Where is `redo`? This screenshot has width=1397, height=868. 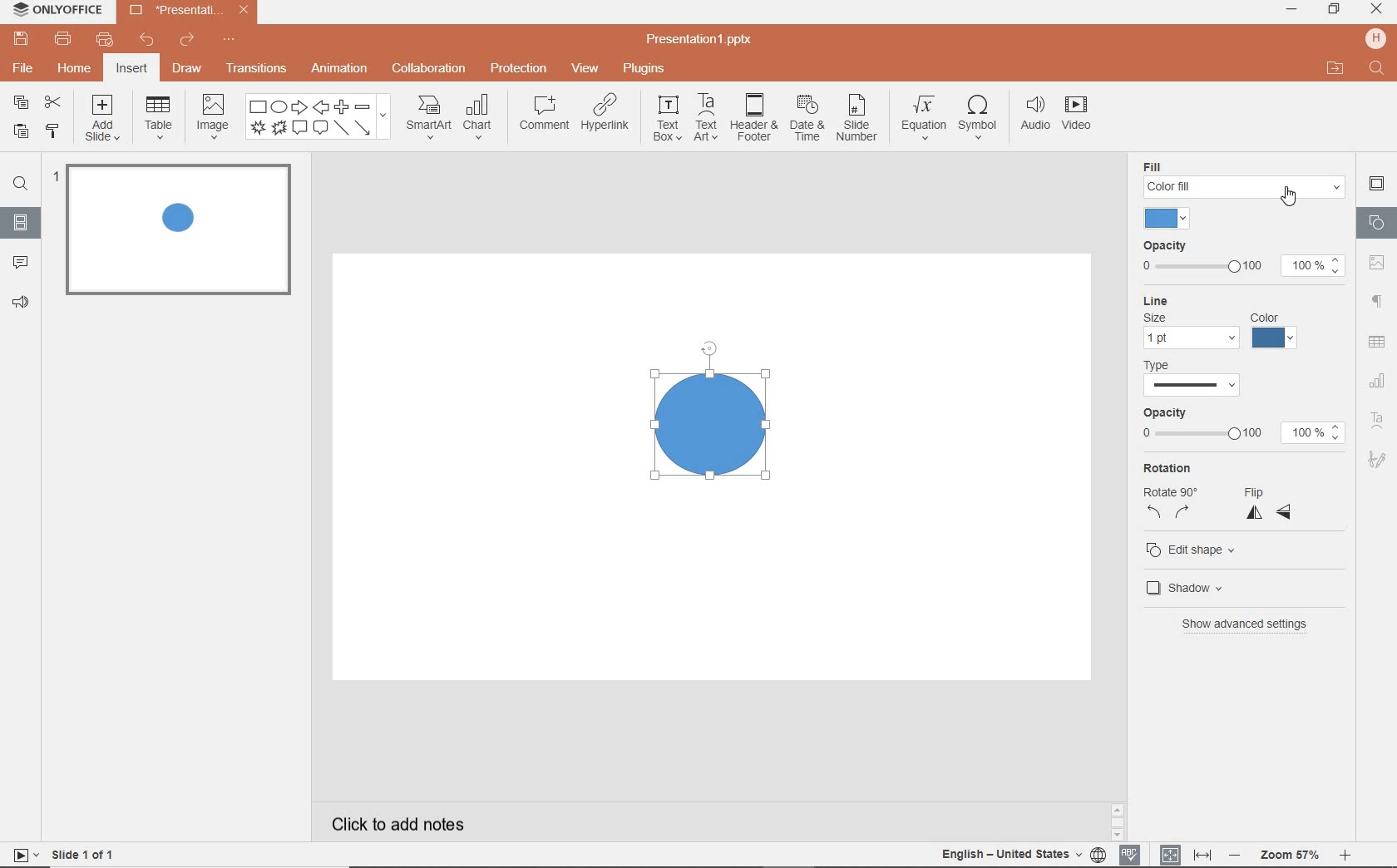
redo is located at coordinates (188, 40).